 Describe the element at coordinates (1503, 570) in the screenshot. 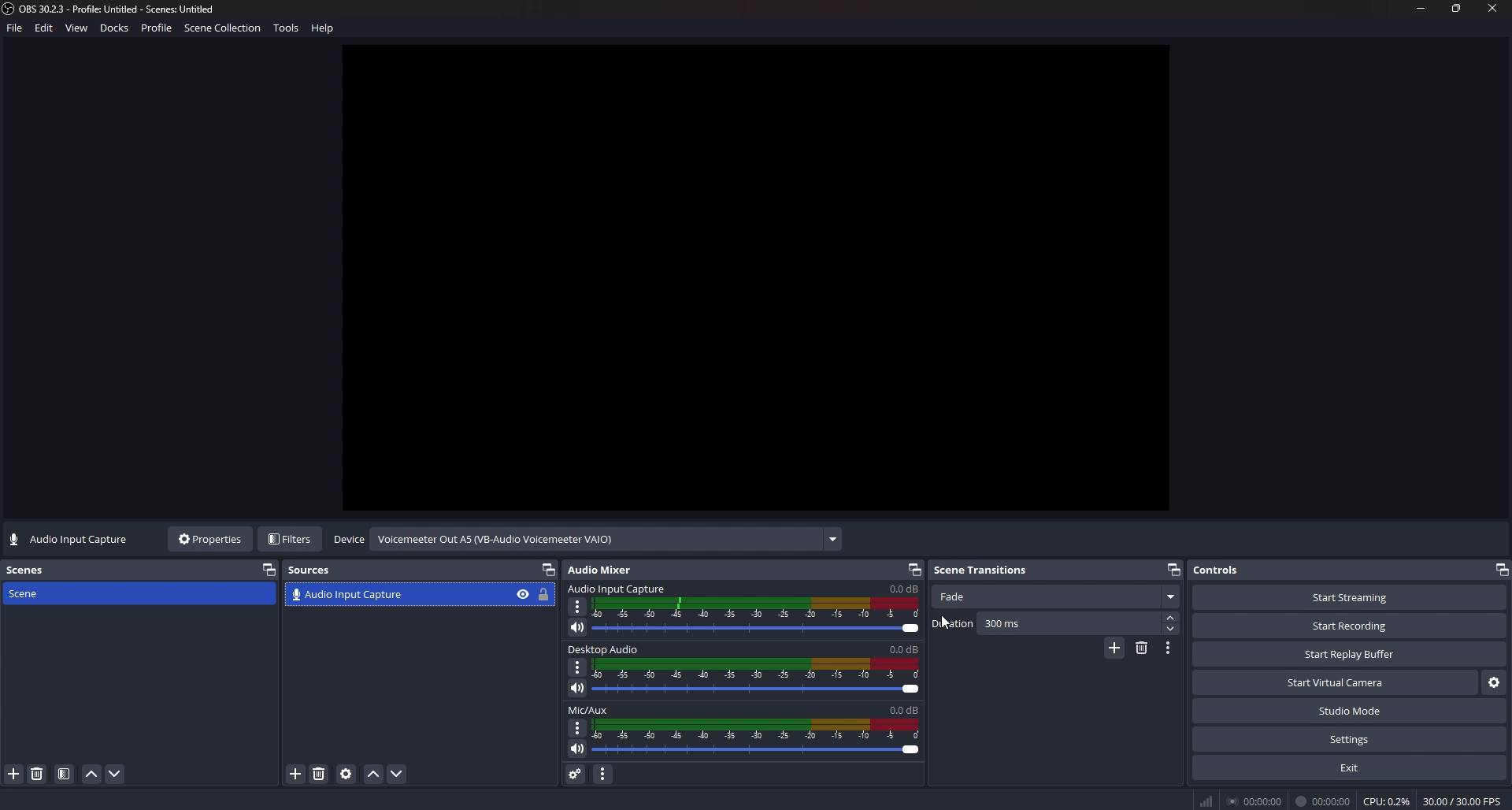

I see `pop out` at that location.